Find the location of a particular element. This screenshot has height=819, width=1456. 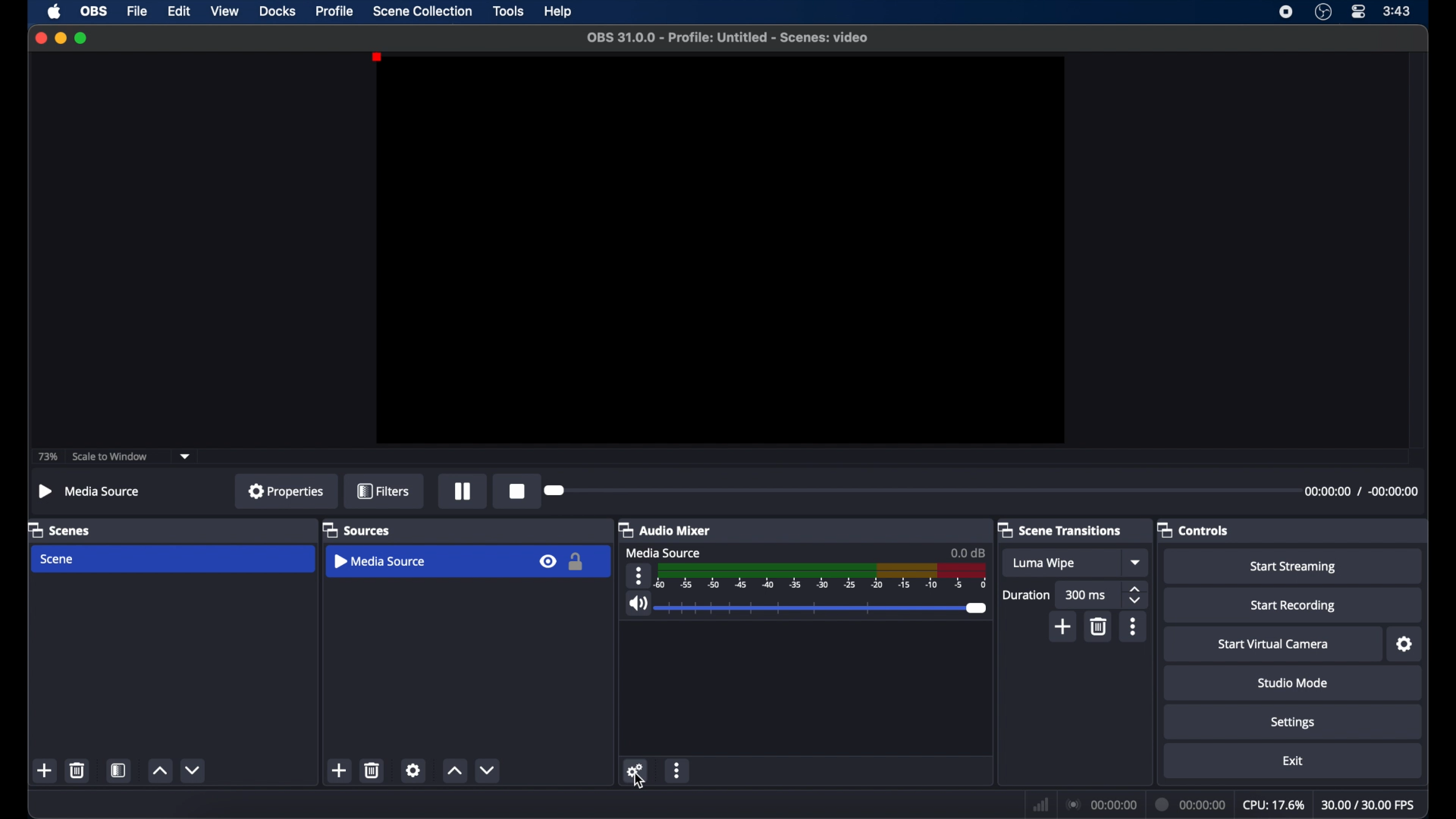

profile is located at coordinates (335, 12).